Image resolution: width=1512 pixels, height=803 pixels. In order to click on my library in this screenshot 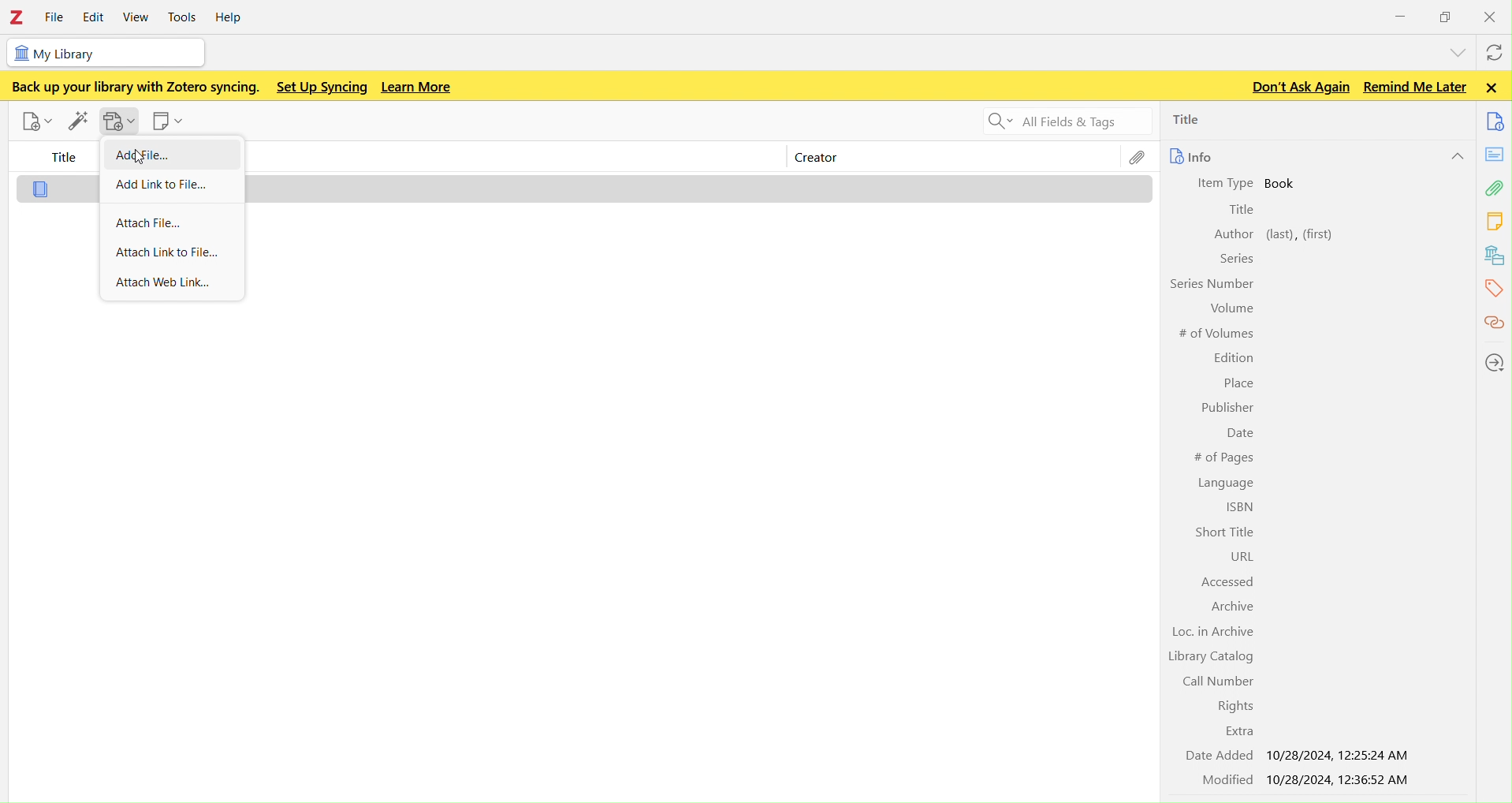, I will do `click(120, 54)`.